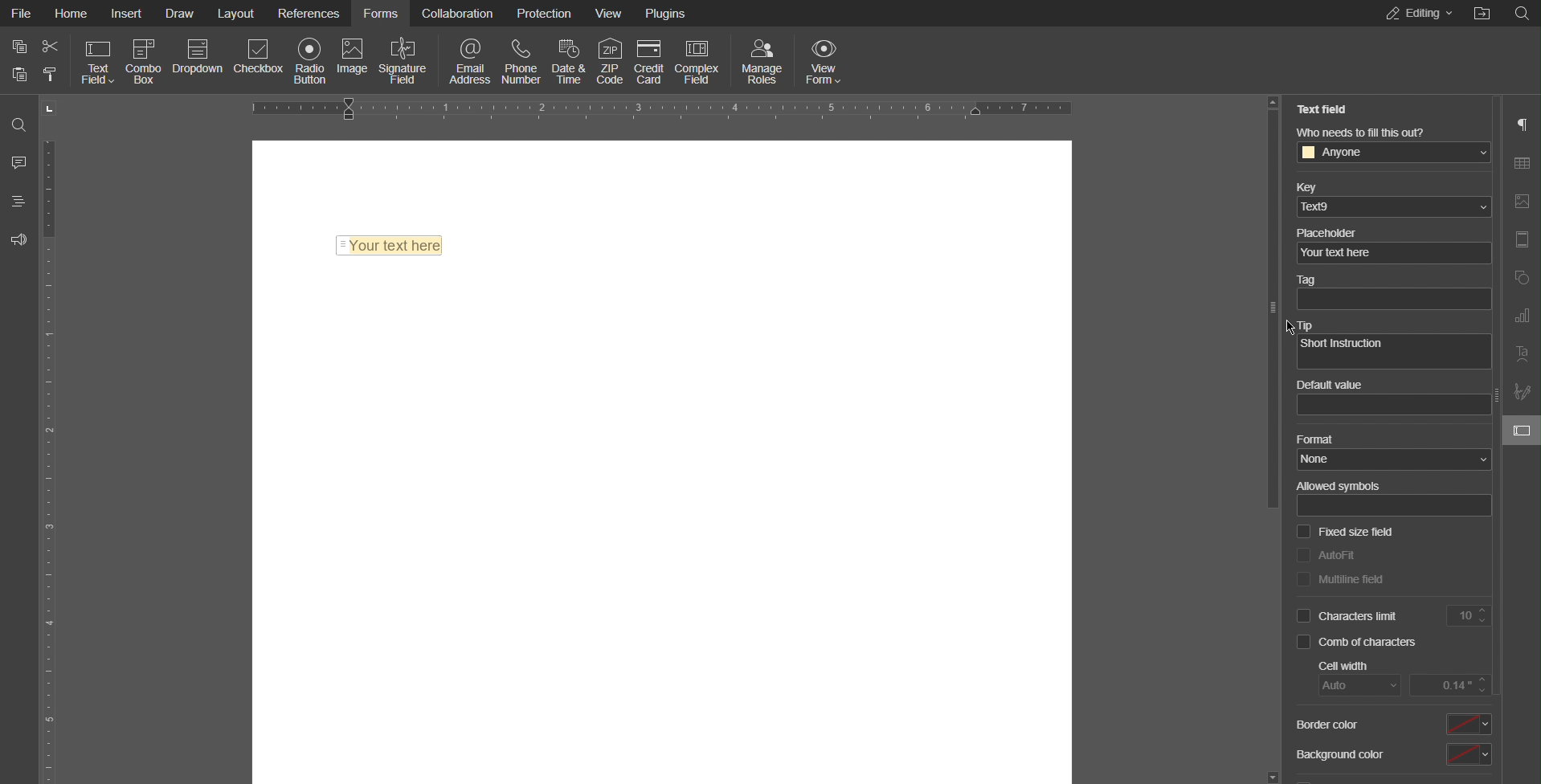 Image resolution: width=1541 pixels, height=784 pixels. I want to click on checkbox, so click(1306, 530).